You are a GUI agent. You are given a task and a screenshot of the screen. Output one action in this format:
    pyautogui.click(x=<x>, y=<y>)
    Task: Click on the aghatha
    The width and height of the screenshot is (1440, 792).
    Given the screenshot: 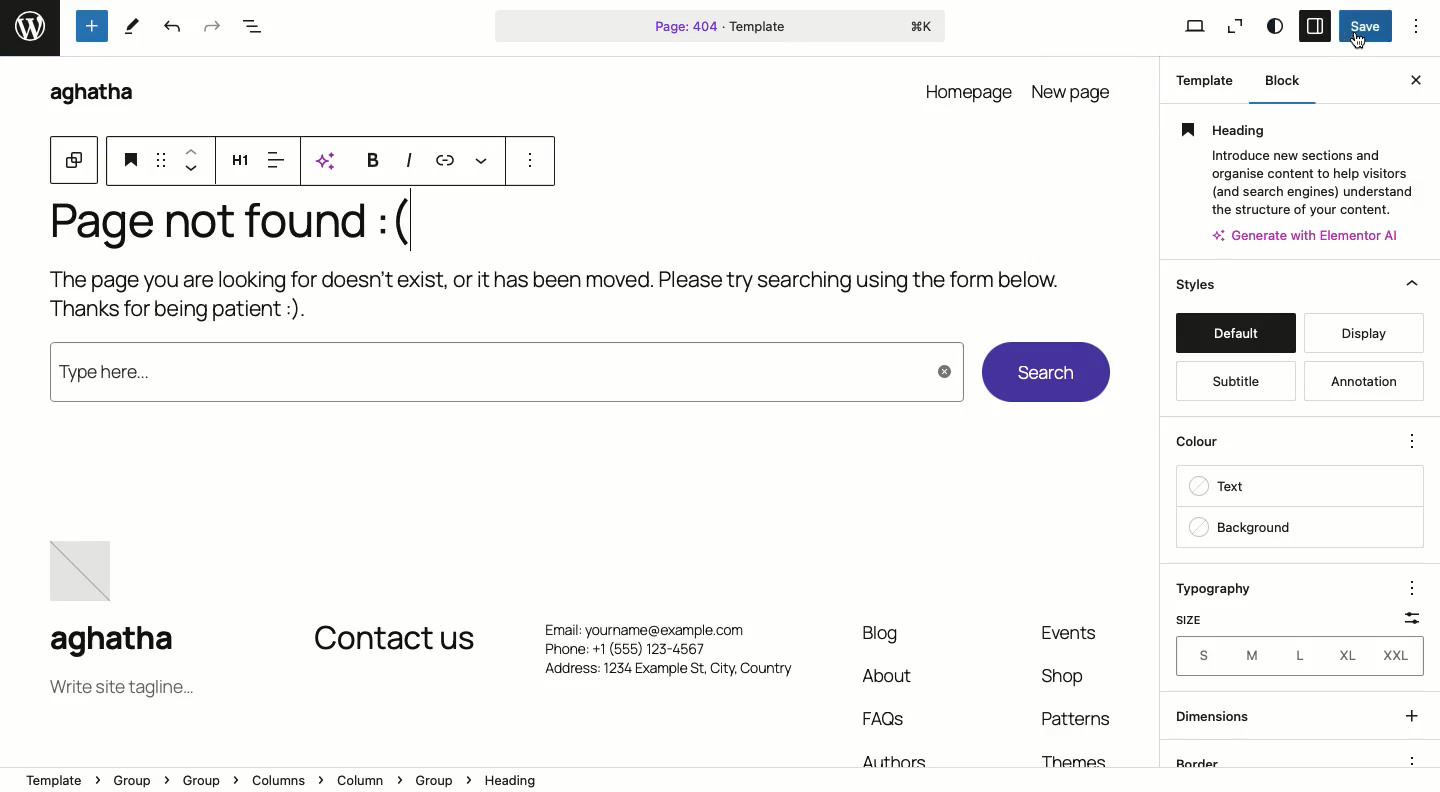 What is the action you would take?
    pyautogui.click(x=129, y=643)
    